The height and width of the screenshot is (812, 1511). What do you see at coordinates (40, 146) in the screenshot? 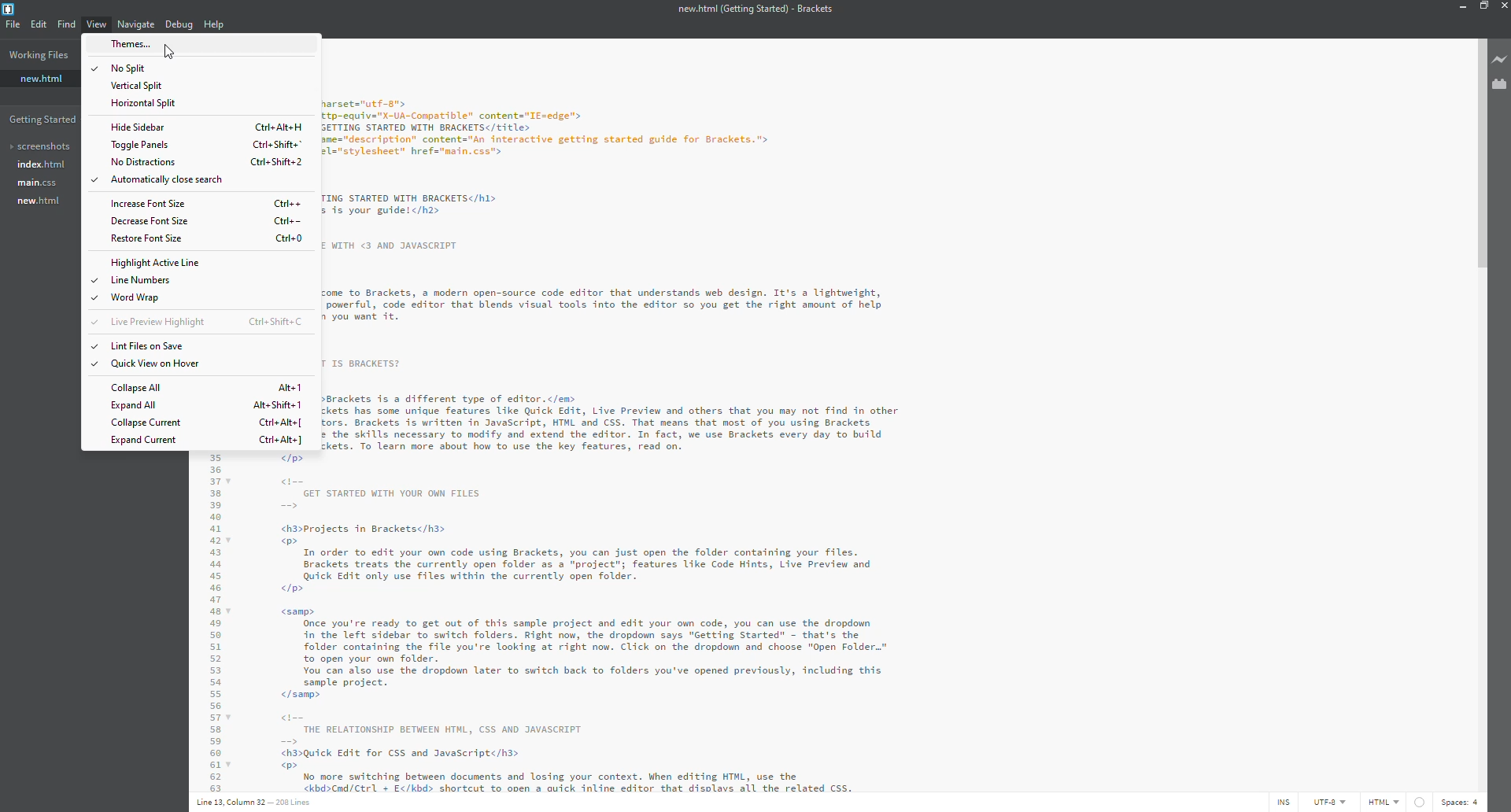
I see `screenshots` at bounding box center [40, 146].